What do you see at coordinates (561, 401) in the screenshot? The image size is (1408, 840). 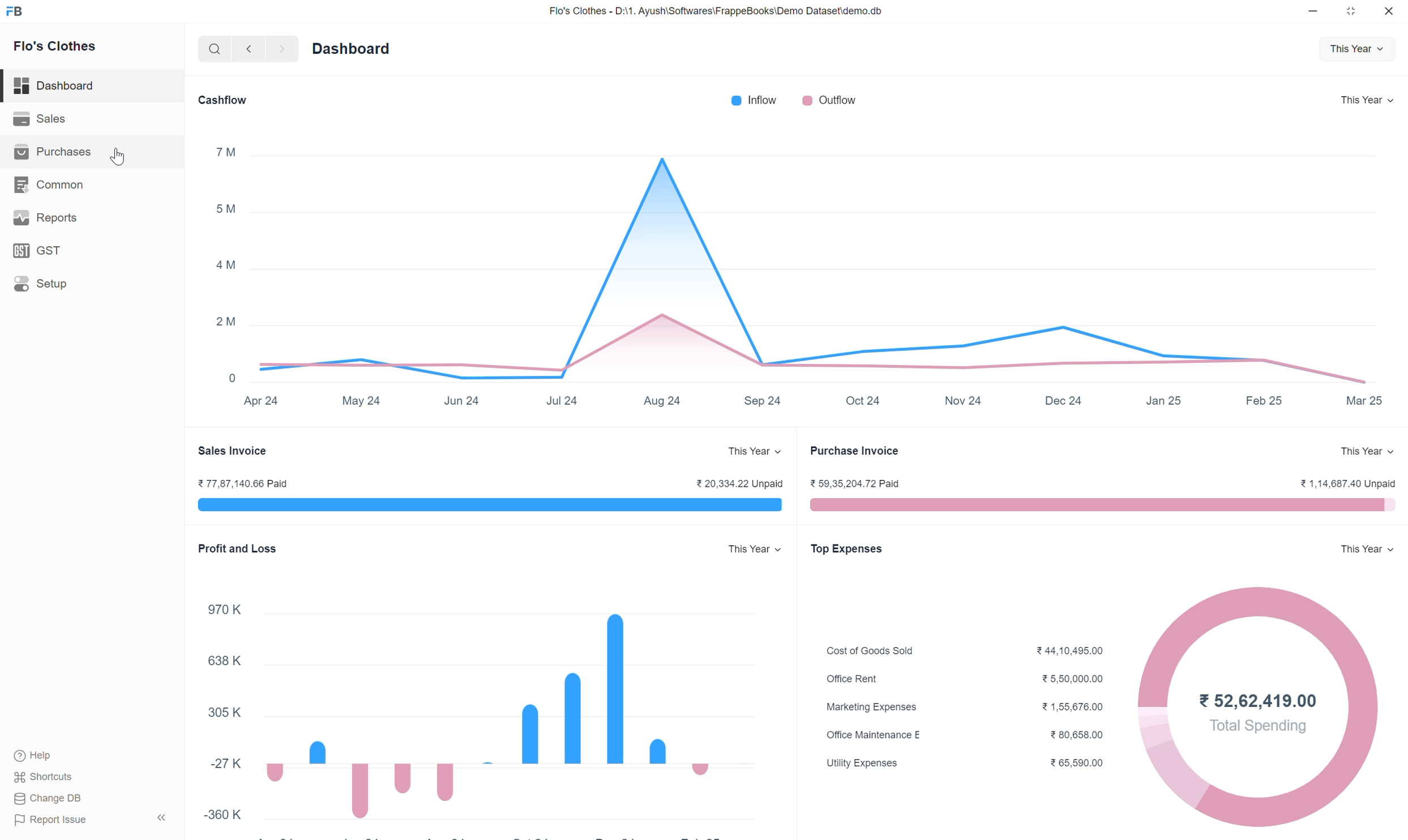 I see `Jul 24` at bounding box center [561, 401].